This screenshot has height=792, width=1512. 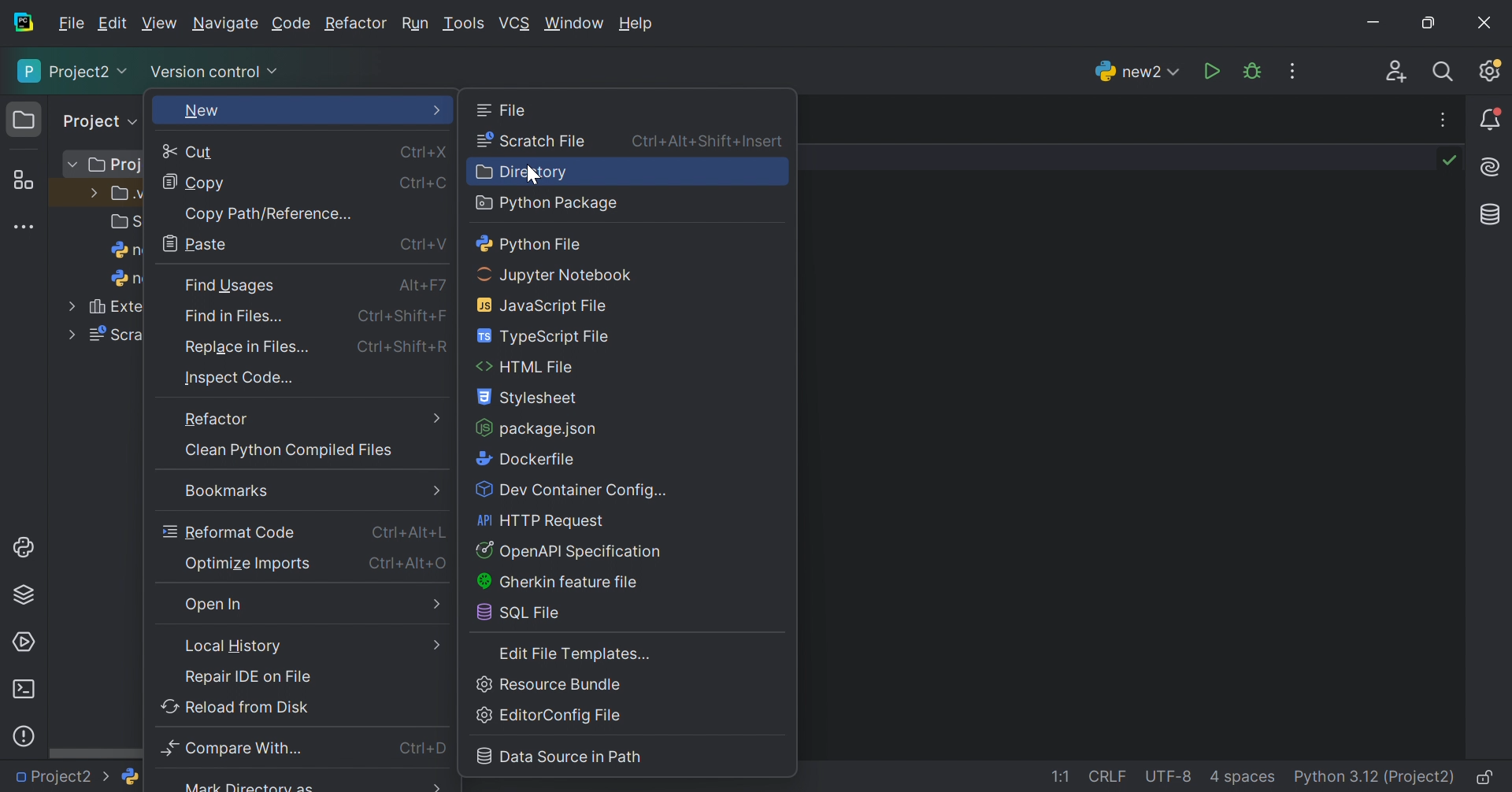 What do you see at coordinates (20, 23) in the screenshot?
I see `PyCharm icon` at bounding box center [20, 23].